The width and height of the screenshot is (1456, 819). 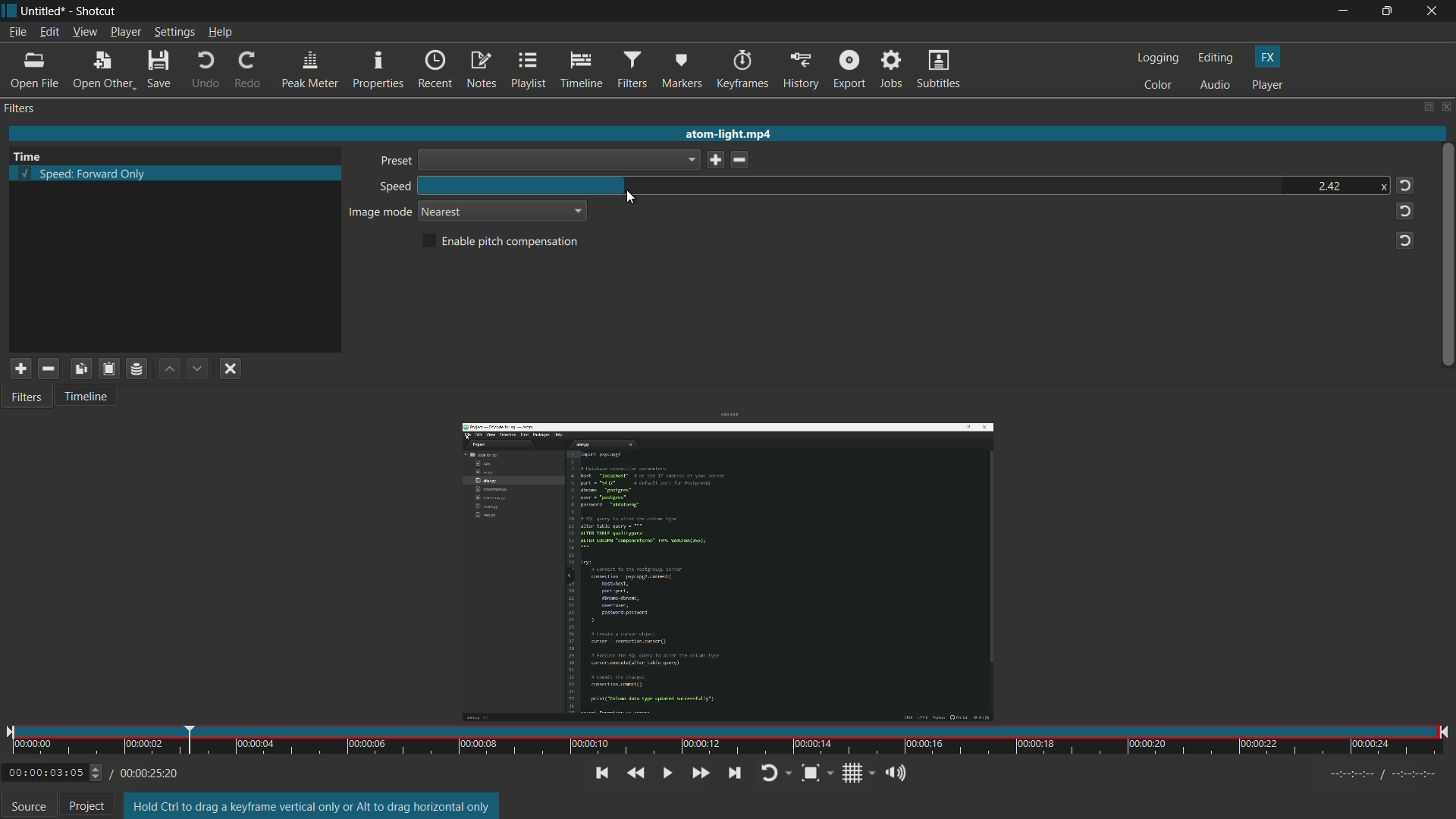 What do you see at coordinates (393, 187) in the screenshot?
I see `speed` at bounding box center [393, 187].